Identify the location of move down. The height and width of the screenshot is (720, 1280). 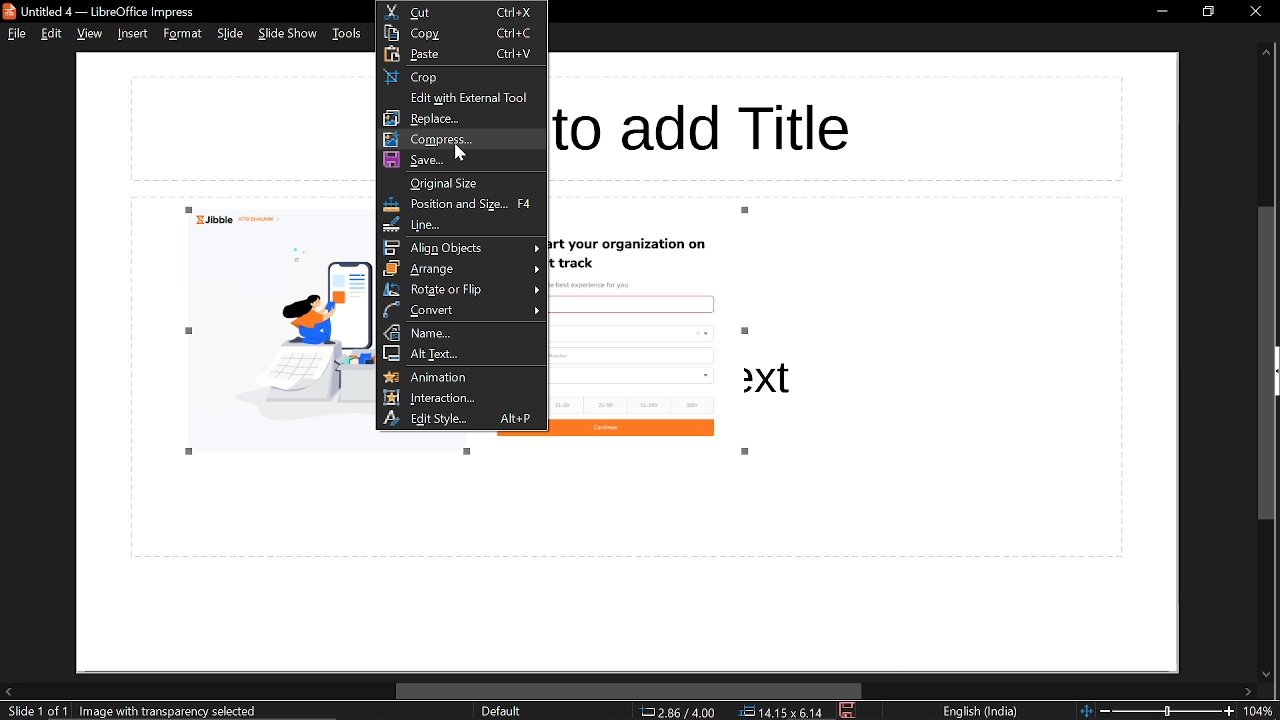
(1264, 675).